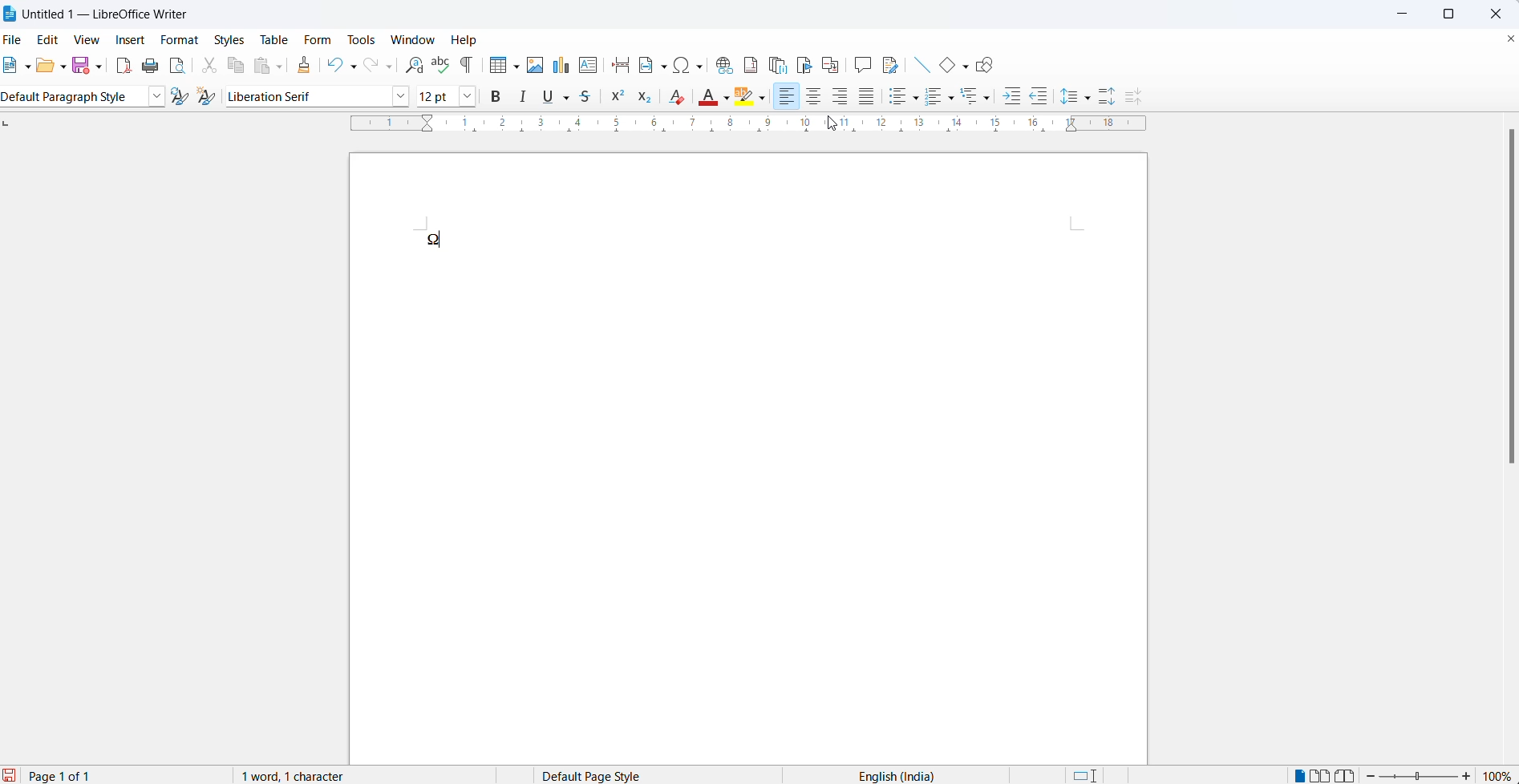 The width and height of the screenshot is (1519, 784). What do you see at coordinates (229, 39) in the screenshot?
I see `styles` at bounding box center [229, 39].